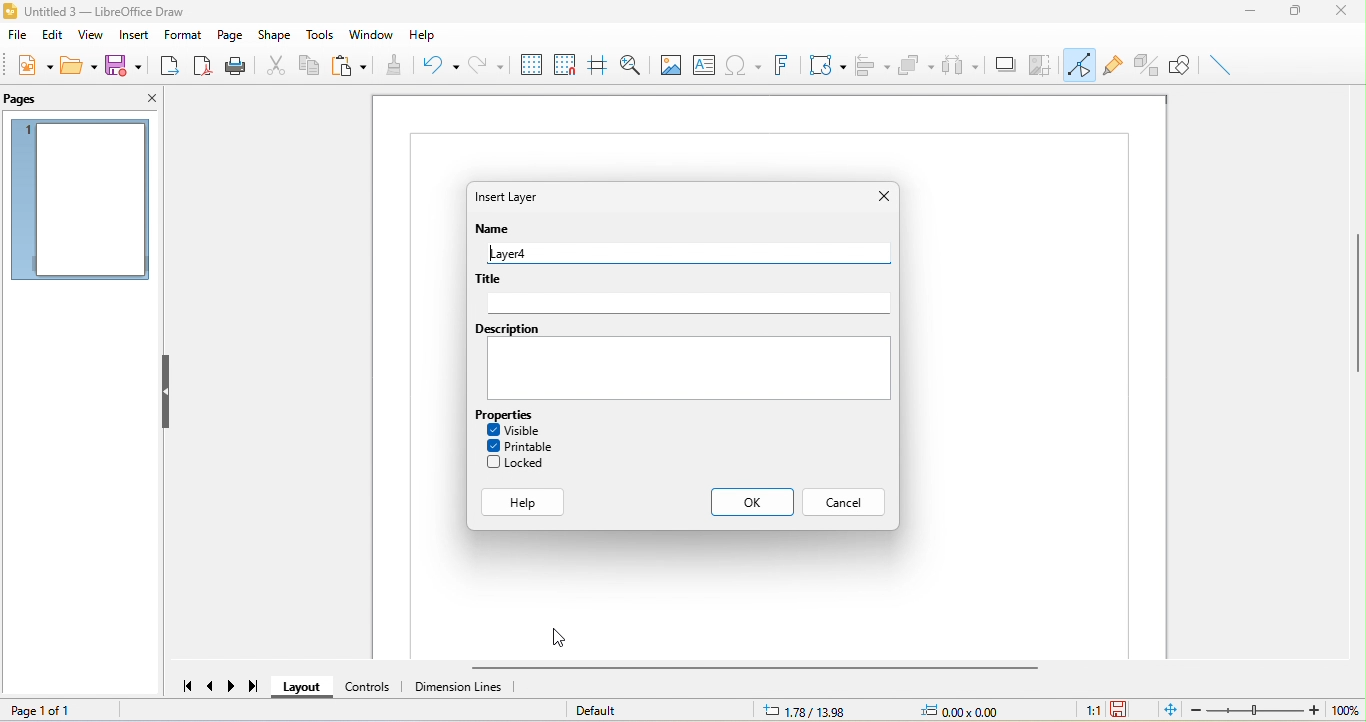 The width and height of the screenshot is (1366, 722). What do you see at coordinates (1182, 65) in the screenshot?
I see `show draw function` at bounding box center [1182, 65].